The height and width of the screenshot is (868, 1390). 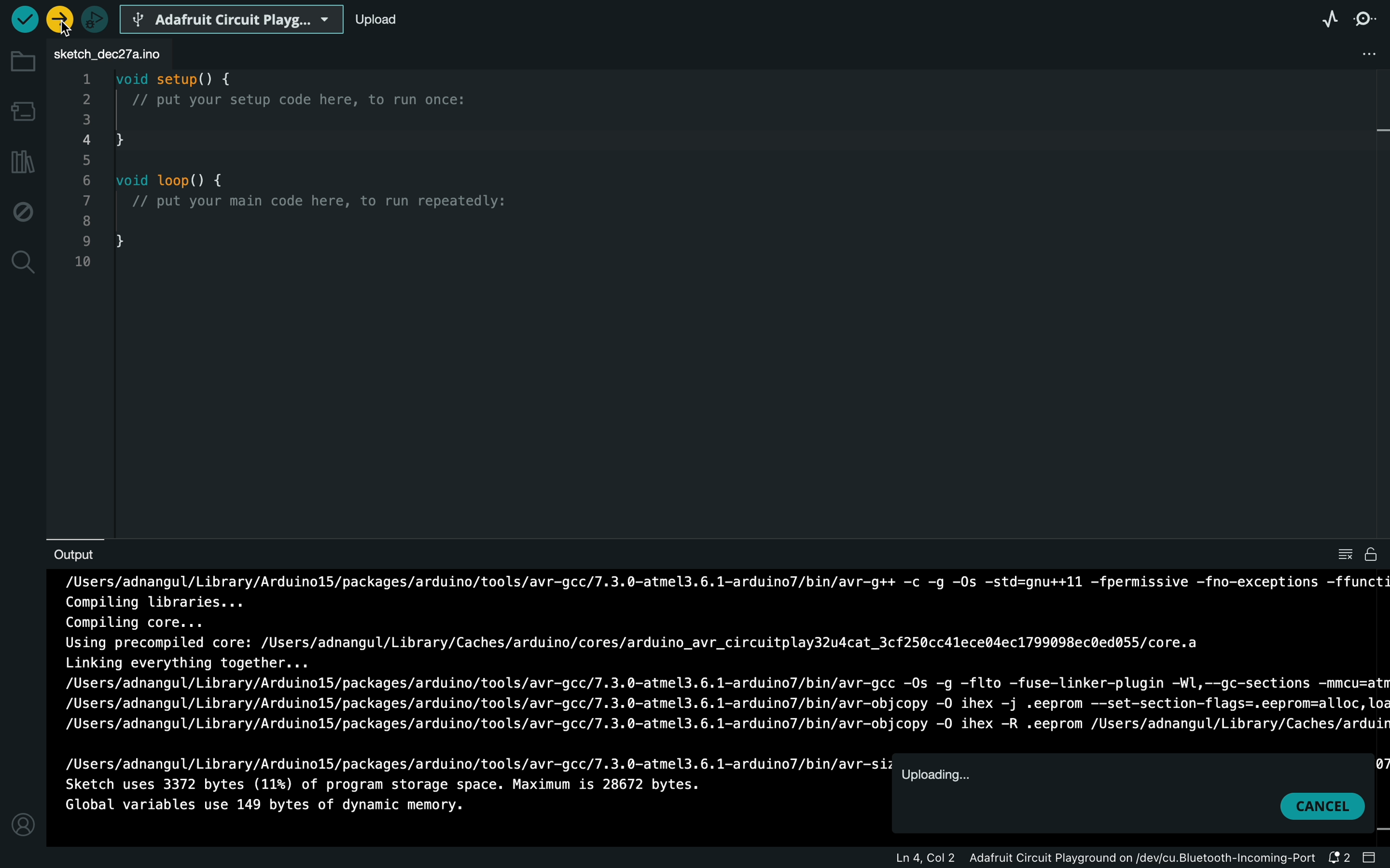 What do you see at coordinates (1364, 17) in the screenshot?
I see `serial monitor` at bounding box center [1364, 17].